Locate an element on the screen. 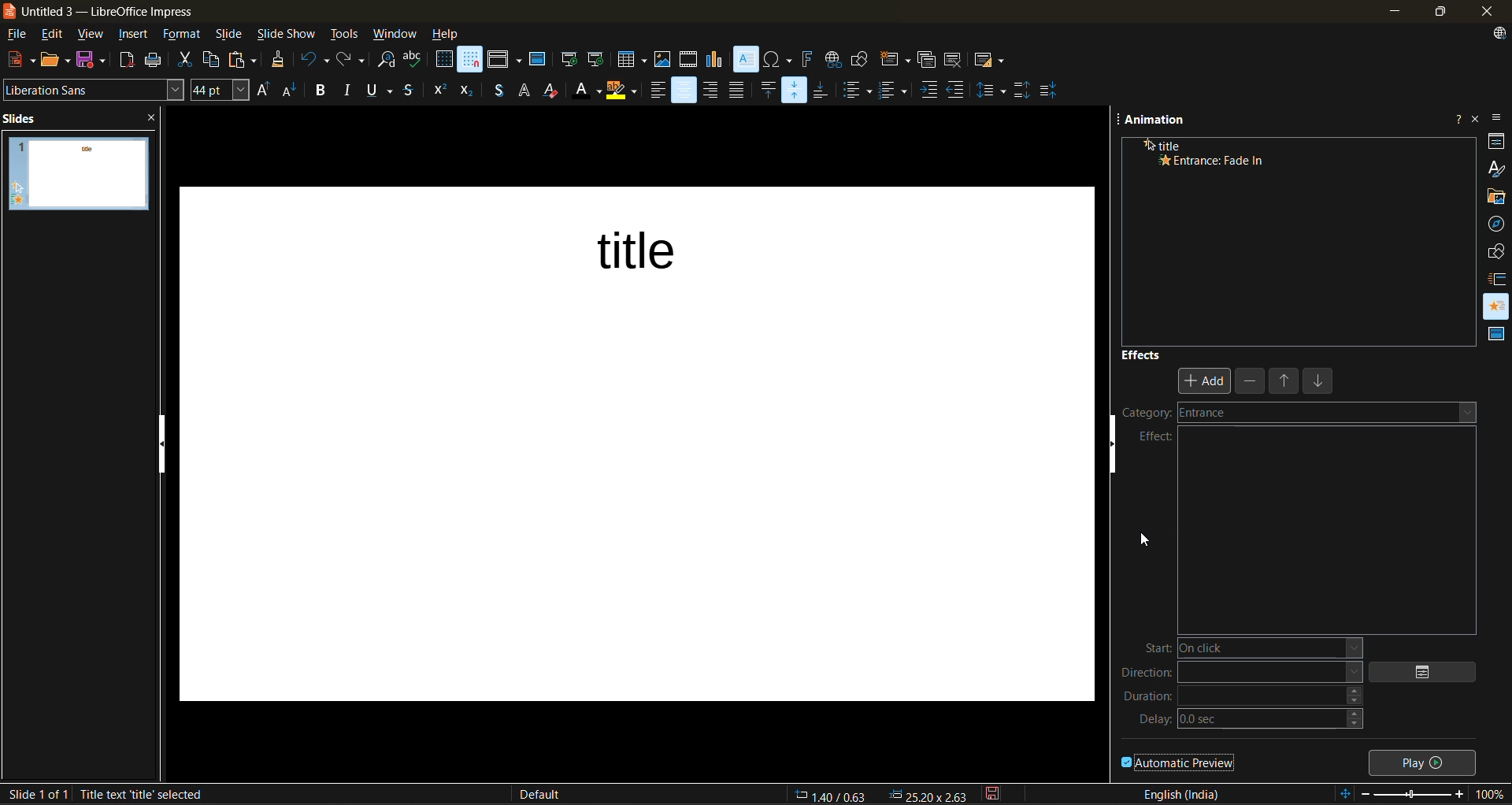 The image size is (1512, 805). automatic preview is located at coordinates (1179, 762).